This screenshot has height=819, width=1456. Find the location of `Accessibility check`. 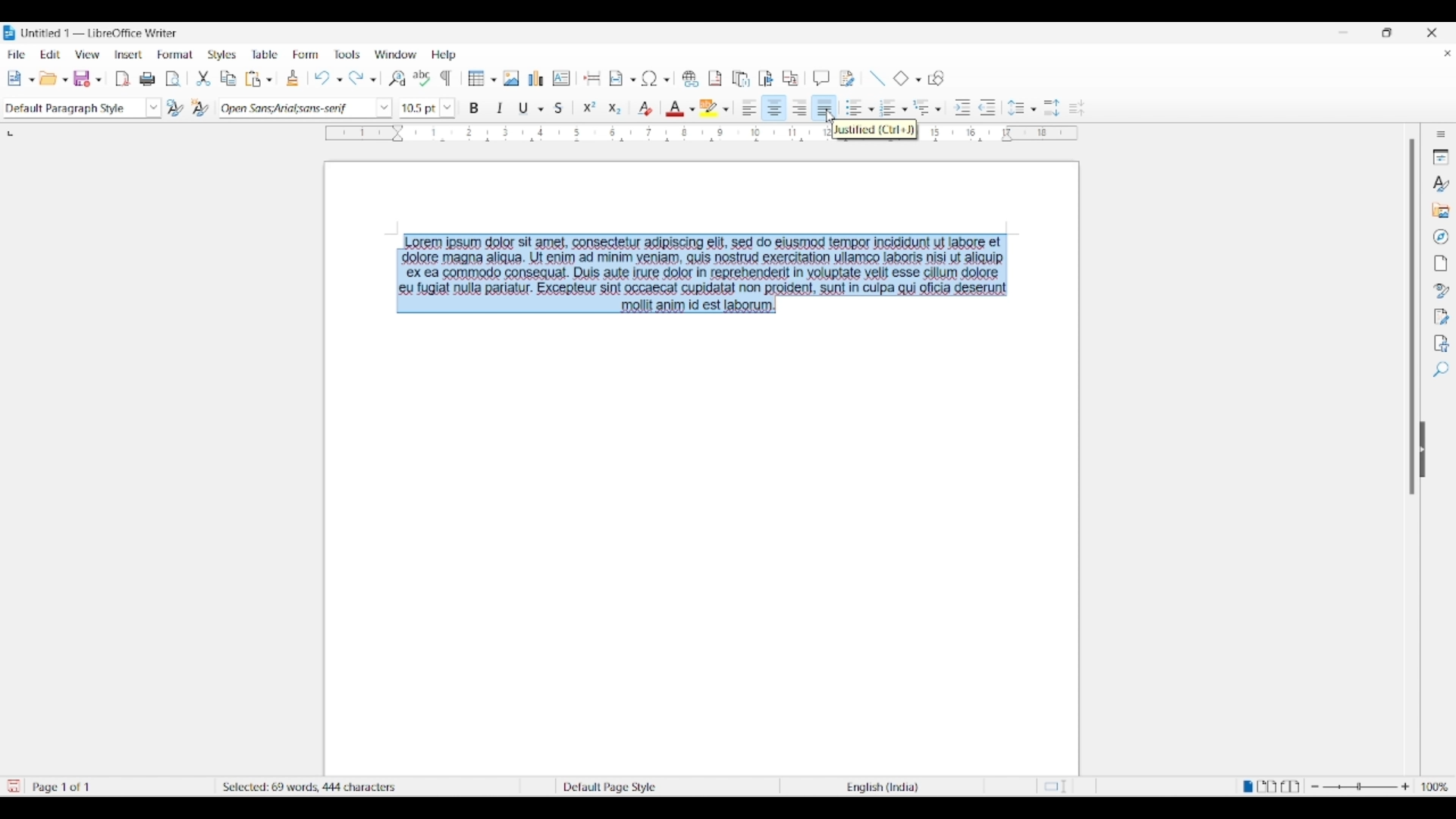

Accessibility check is located at coordinates (1442, 344).